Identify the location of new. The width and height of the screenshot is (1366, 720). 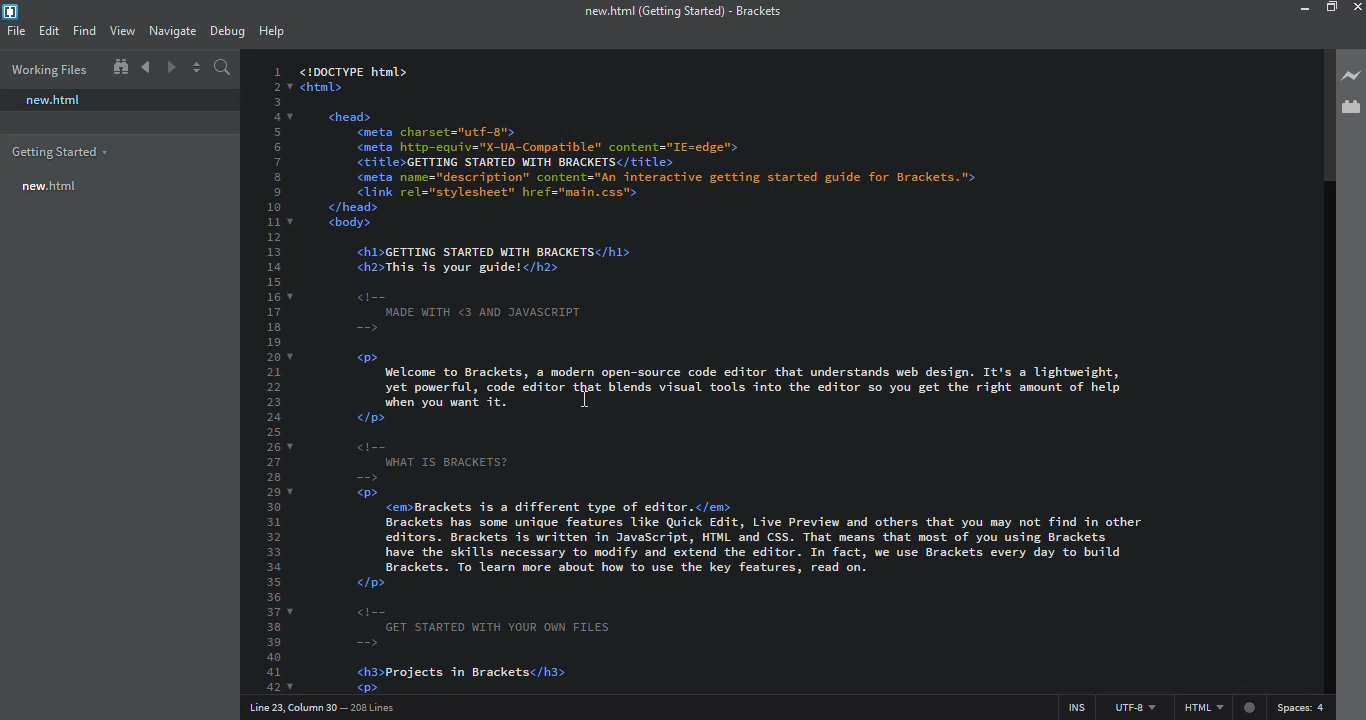
(51, 99).